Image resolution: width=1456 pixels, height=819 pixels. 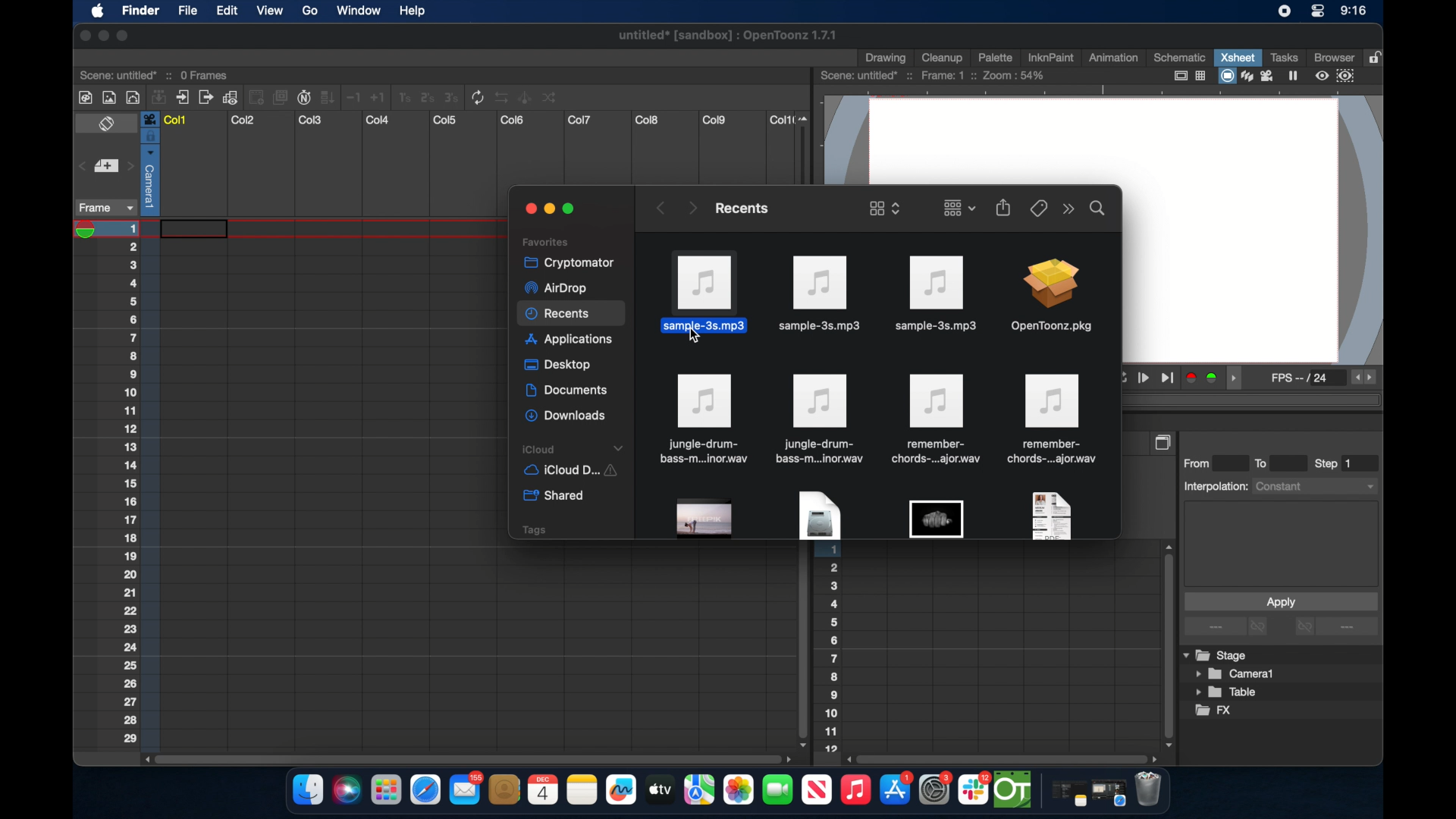 I want to click on icon, so click(x=820, y=419).